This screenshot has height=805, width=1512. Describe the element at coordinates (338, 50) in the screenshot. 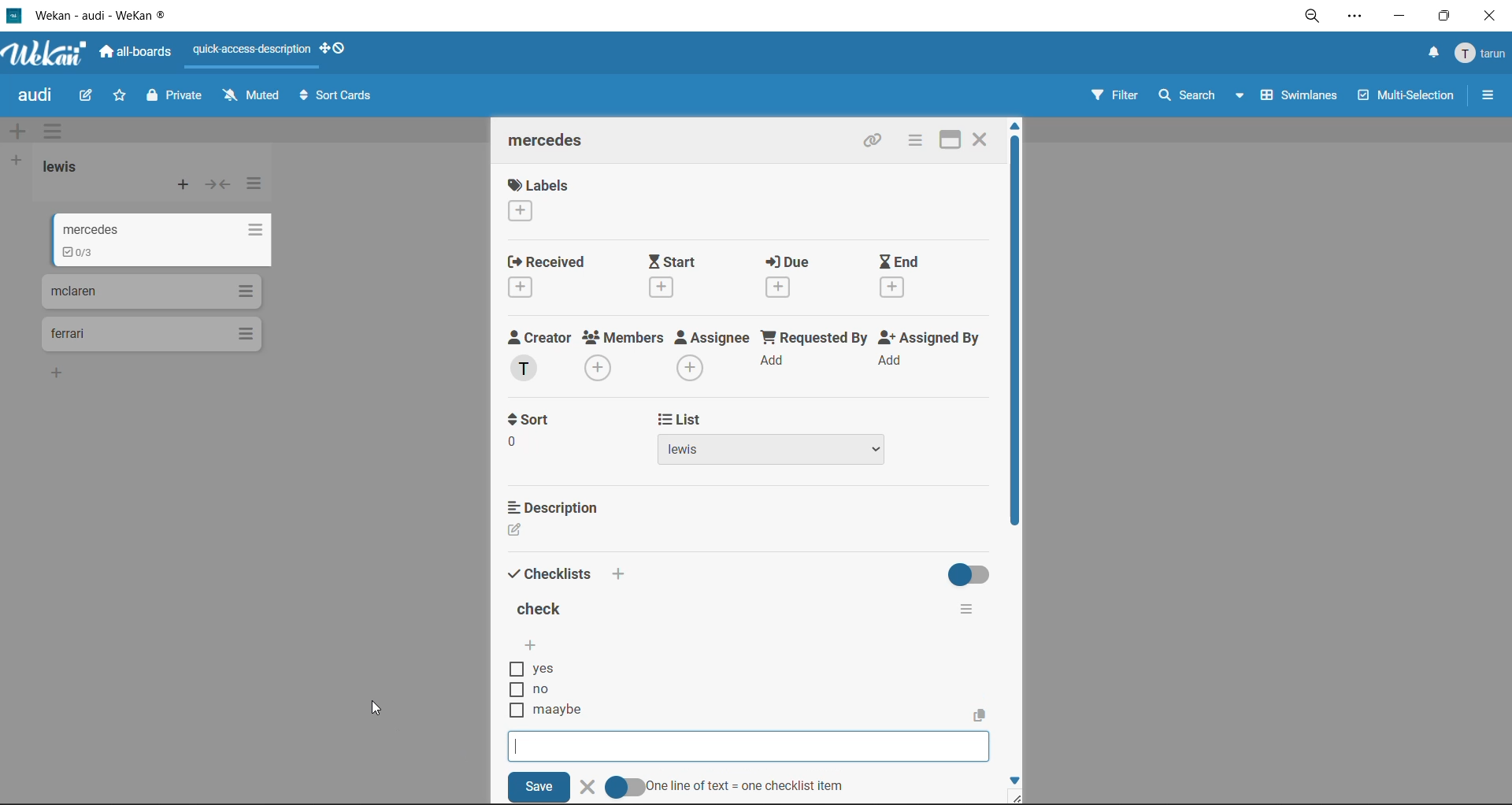

I see `show desktop drag handles` at that location.